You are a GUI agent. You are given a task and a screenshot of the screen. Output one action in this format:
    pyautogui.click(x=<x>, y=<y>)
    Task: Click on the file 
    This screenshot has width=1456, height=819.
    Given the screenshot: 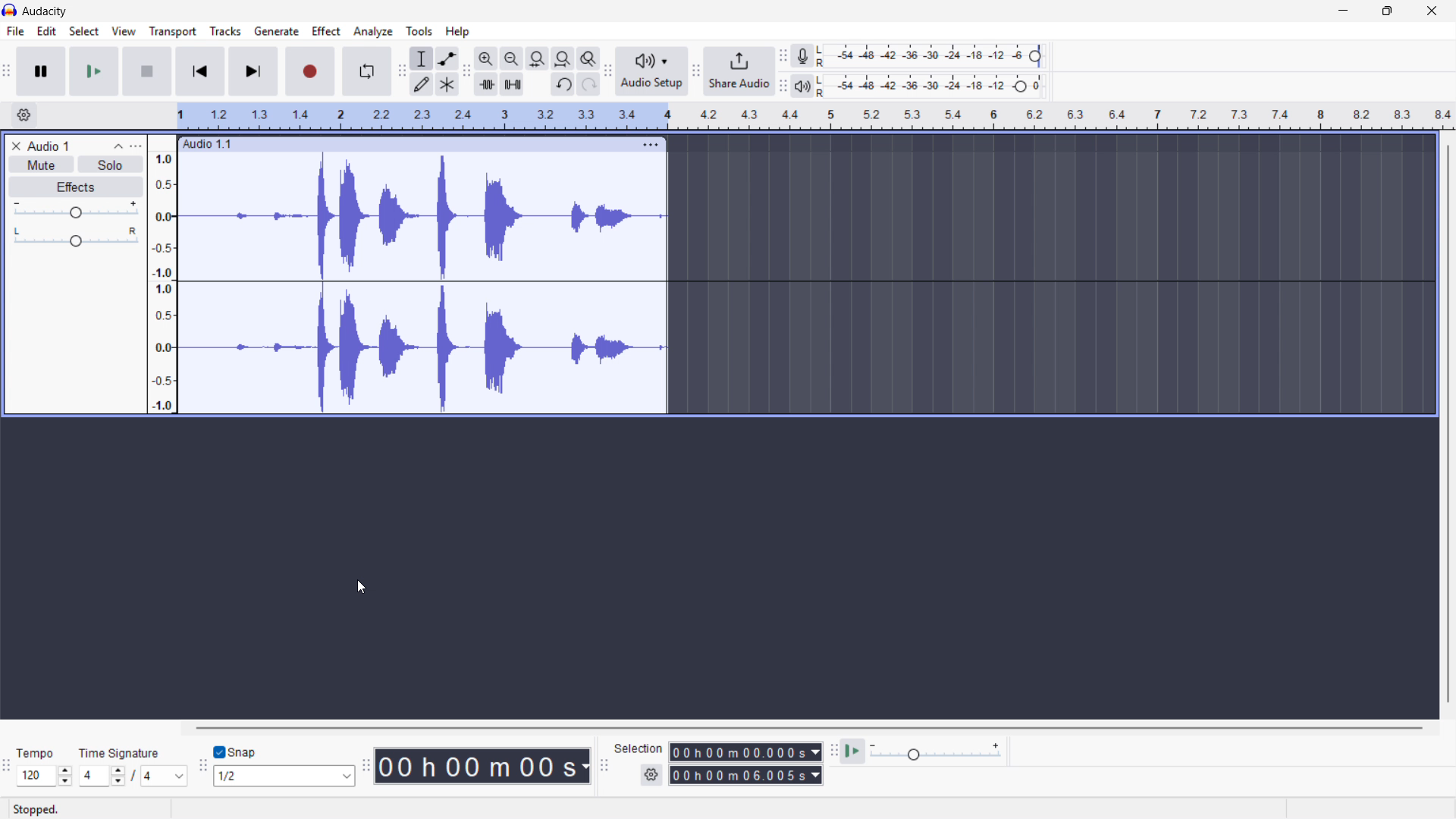 What is the action you would take?
    pyautogui.click(x=14, y=31)
    